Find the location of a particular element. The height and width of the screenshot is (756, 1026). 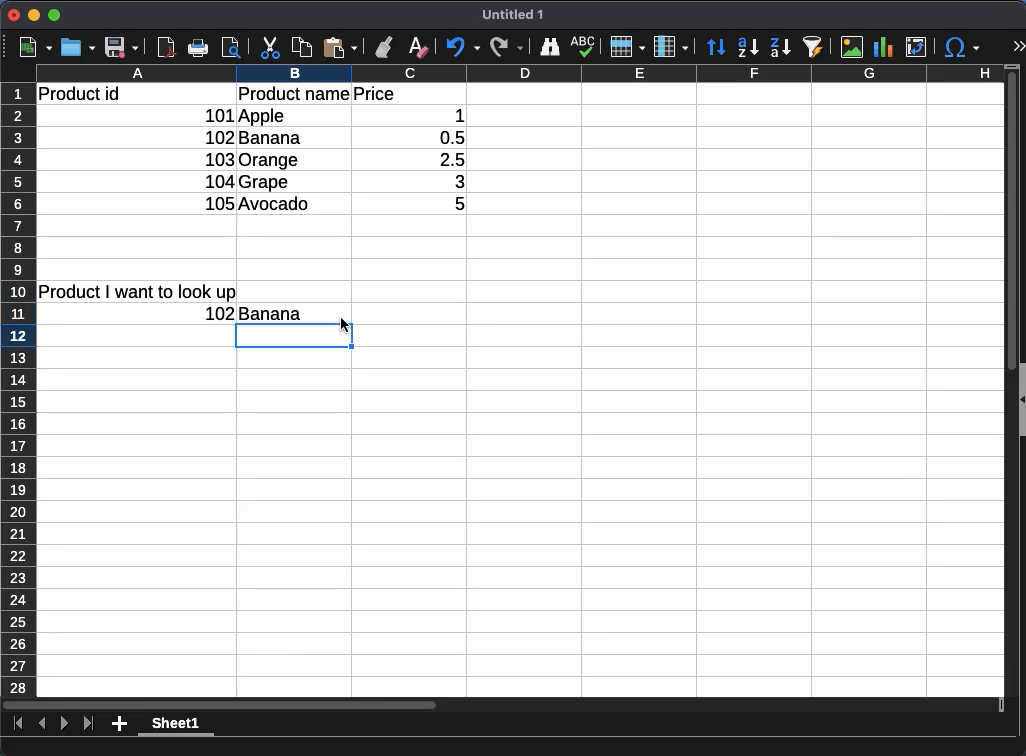

sheet1 is located at coordinates (177, 725).